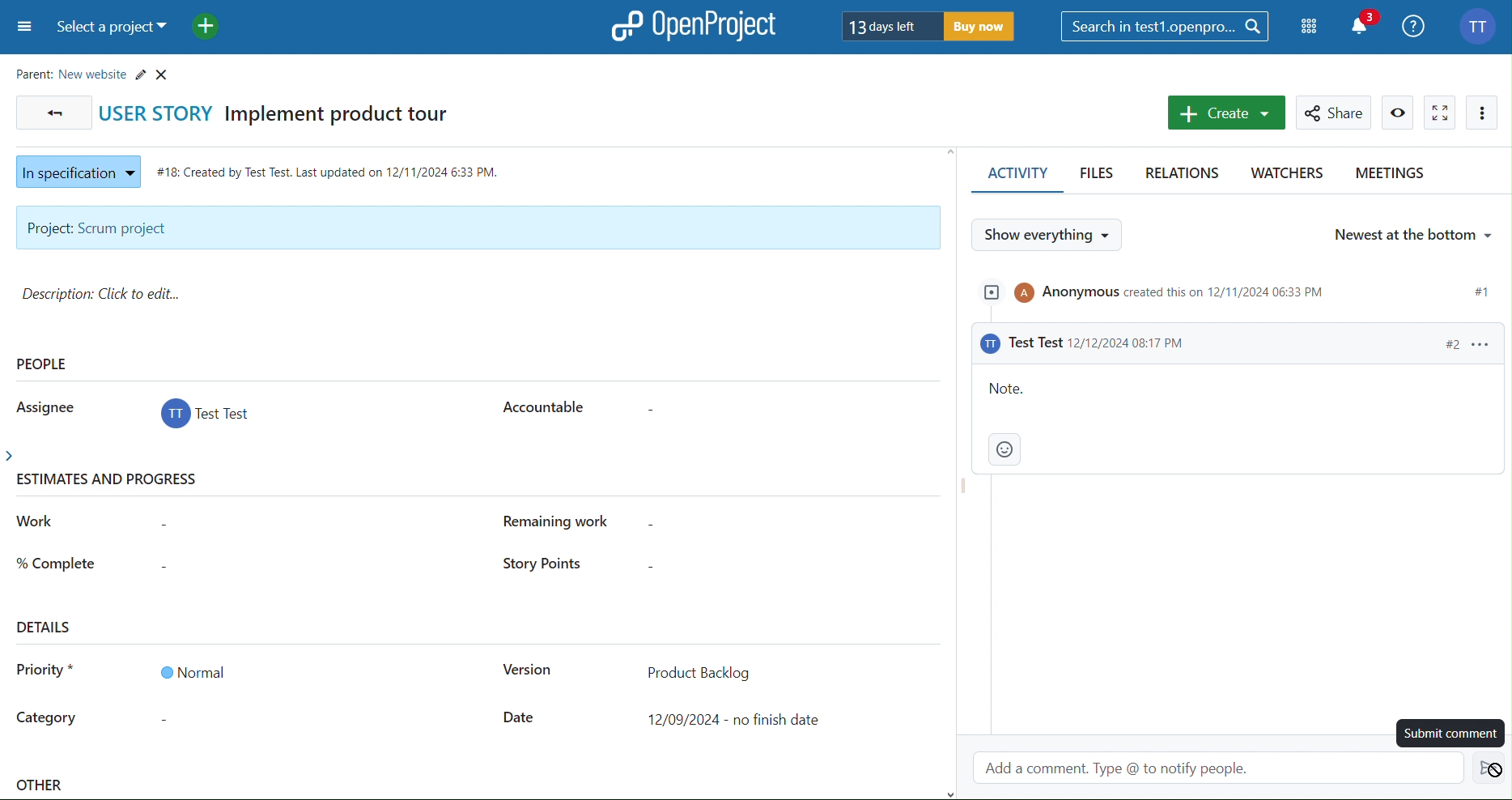  What do you see at coordinates (1166, 26) in the screenshot?
I see `Search` at bounding box center [1166, 26].